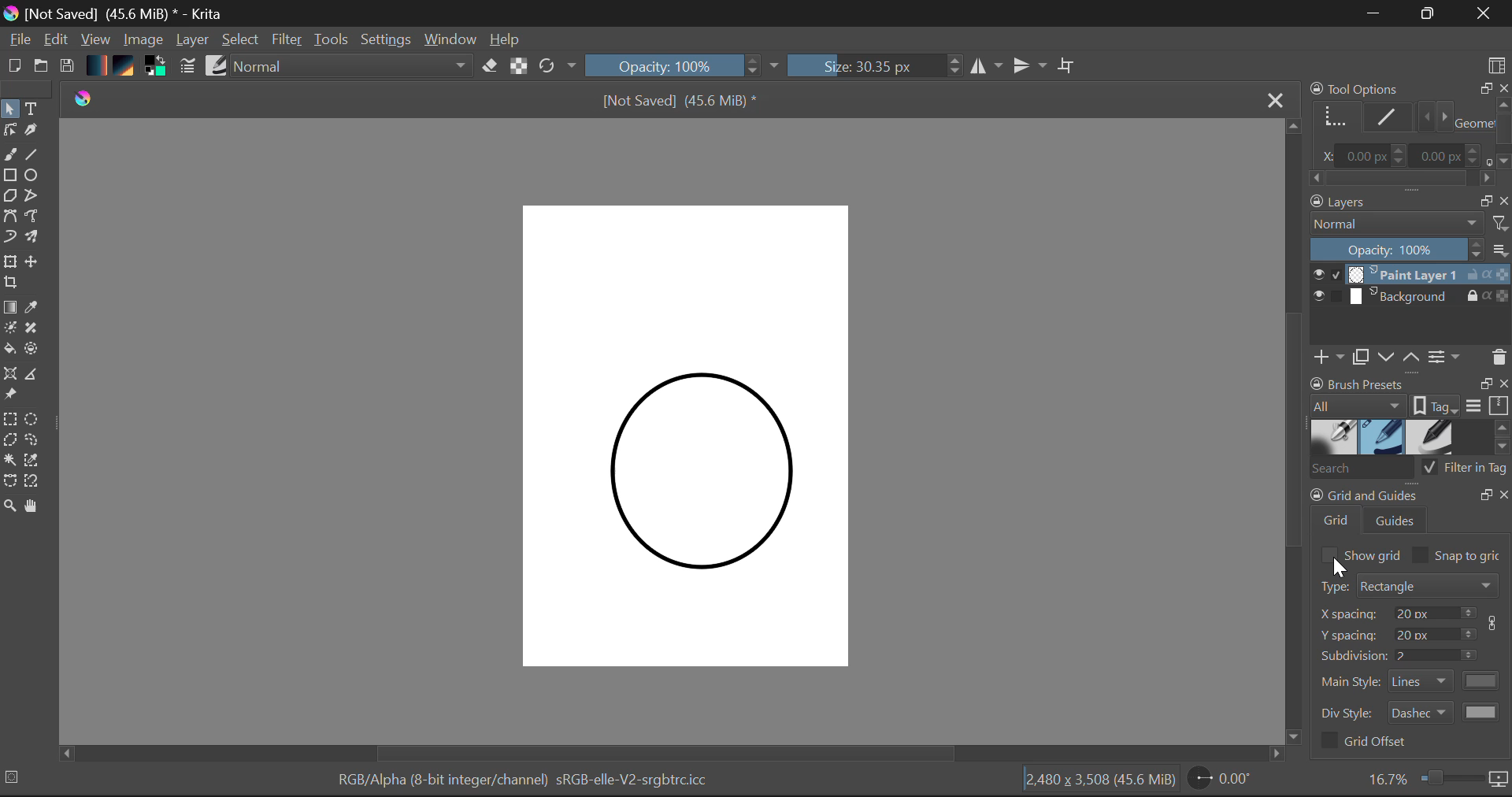 The height and width of the screenshot is (797, 1512). I want to click on Edit, so click(57, 40).